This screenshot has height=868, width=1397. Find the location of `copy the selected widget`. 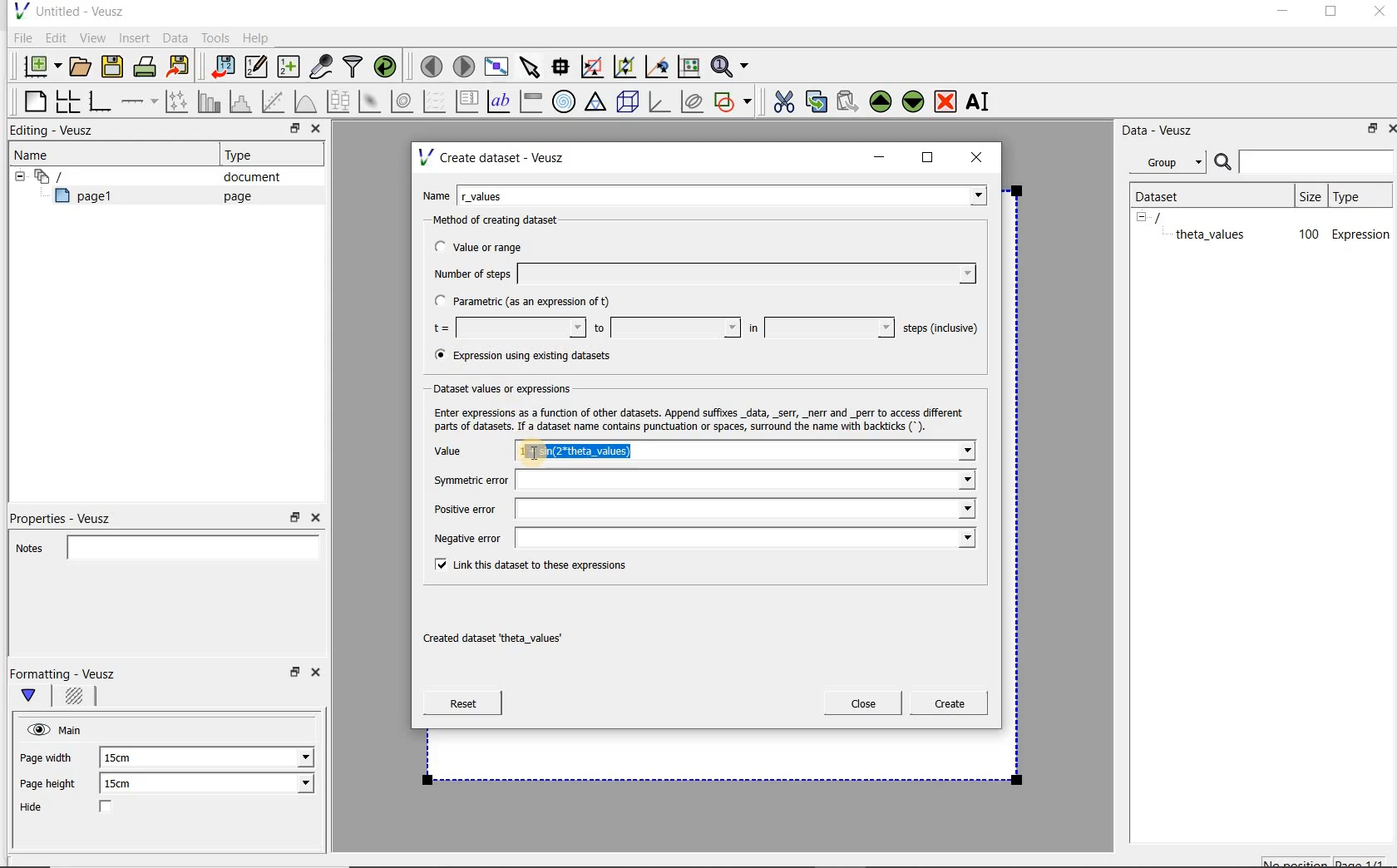

copy the selected widget is located at coordinates (817, 101).